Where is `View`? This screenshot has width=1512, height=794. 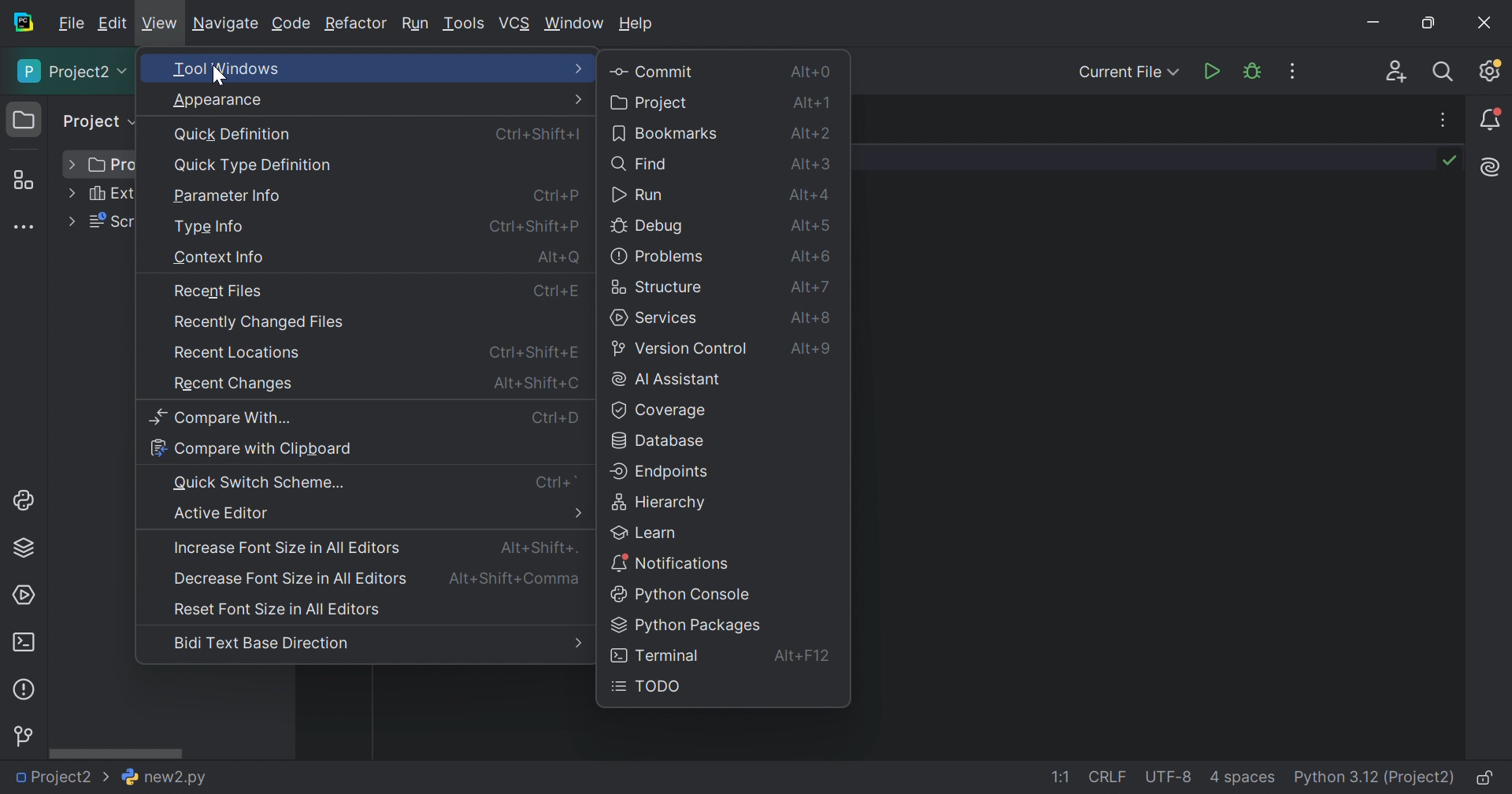 View is located at coordinates (161, 24).